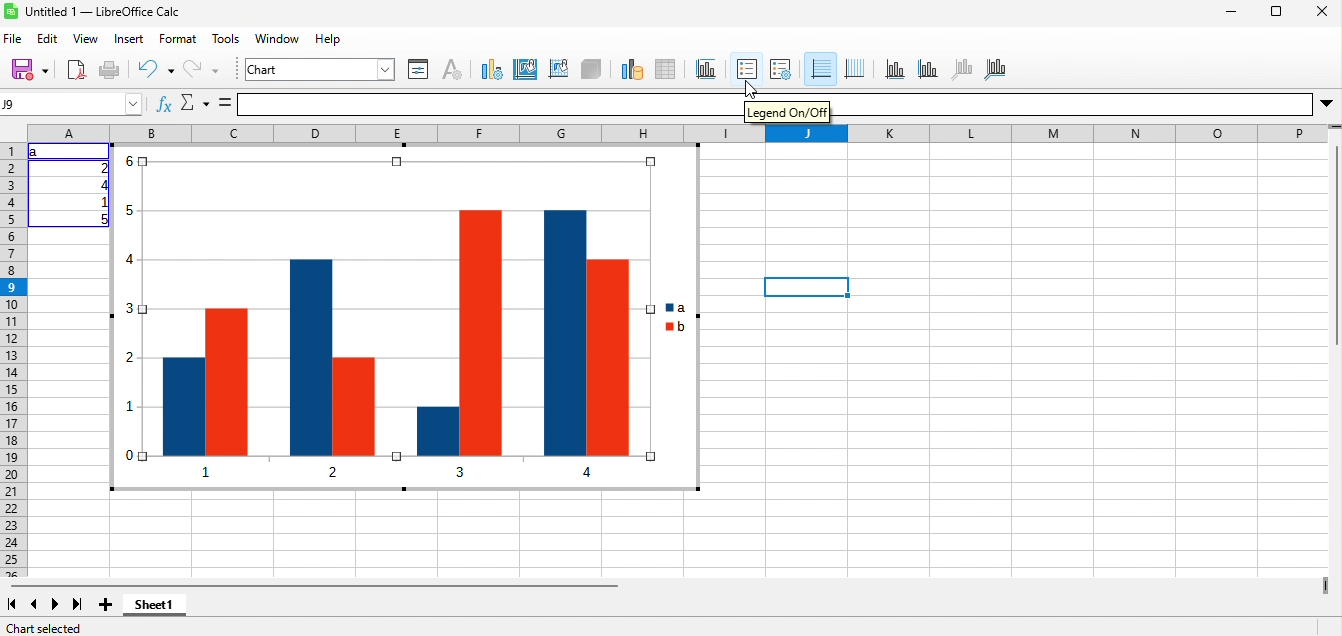  Describe the element at coordinates (106, 605) in the screenshot. I see `add sheet` at that location.